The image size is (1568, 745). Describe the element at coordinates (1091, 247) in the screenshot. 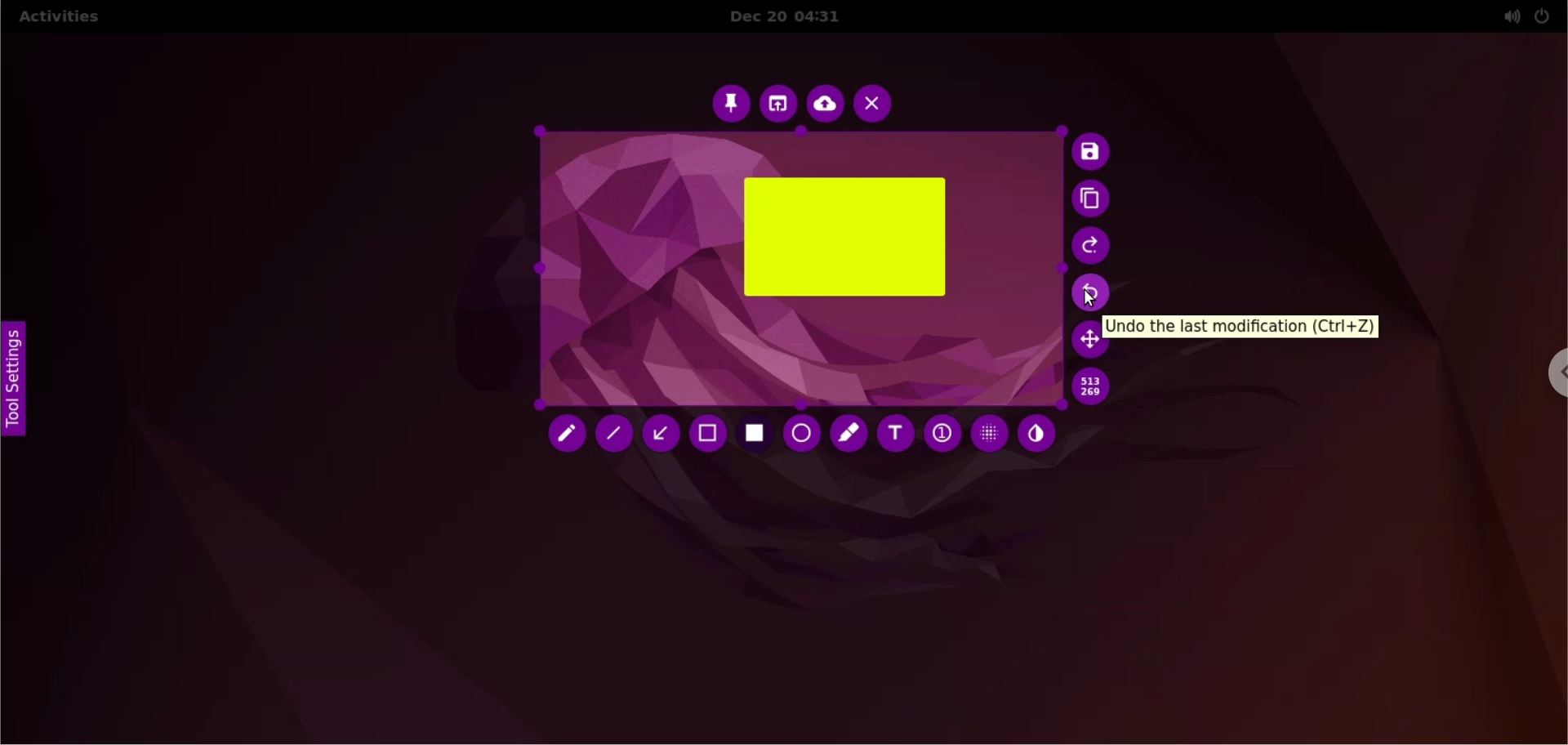

I see `redo` at that location.